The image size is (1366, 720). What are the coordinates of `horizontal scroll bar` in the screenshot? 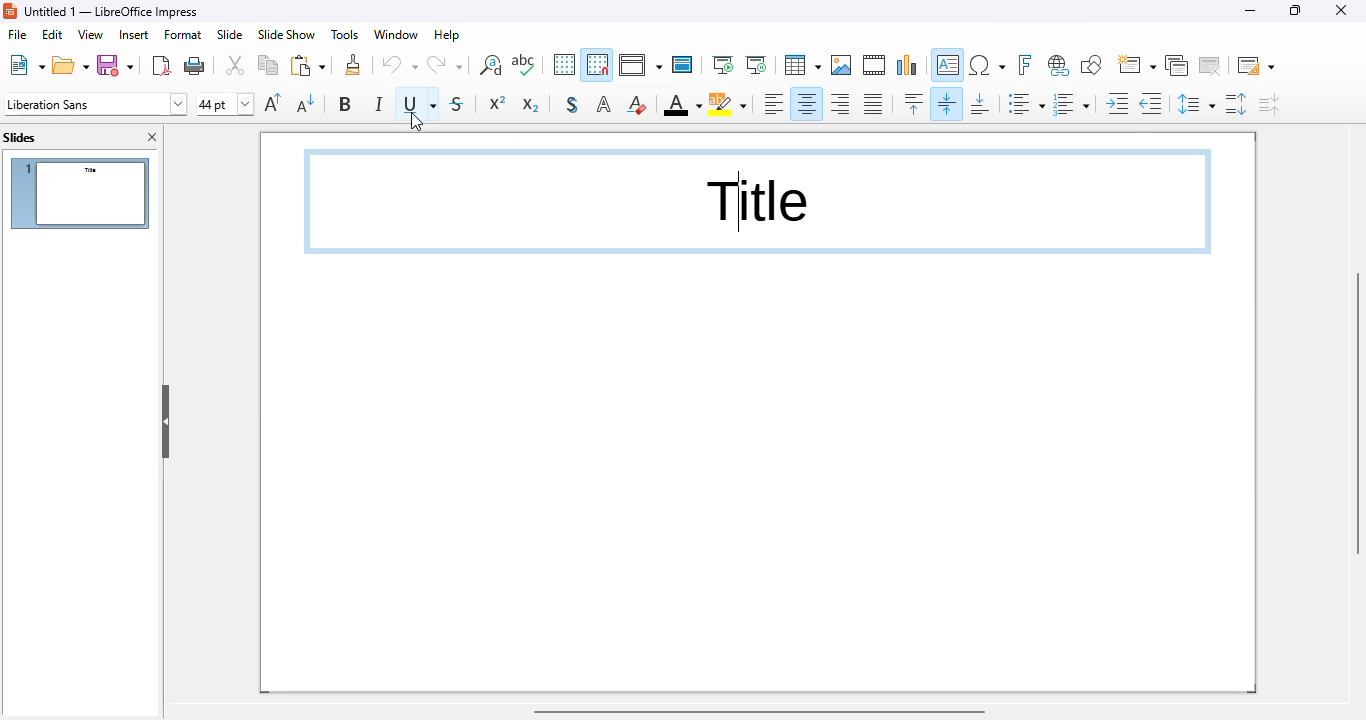 It's located at (760, 711).